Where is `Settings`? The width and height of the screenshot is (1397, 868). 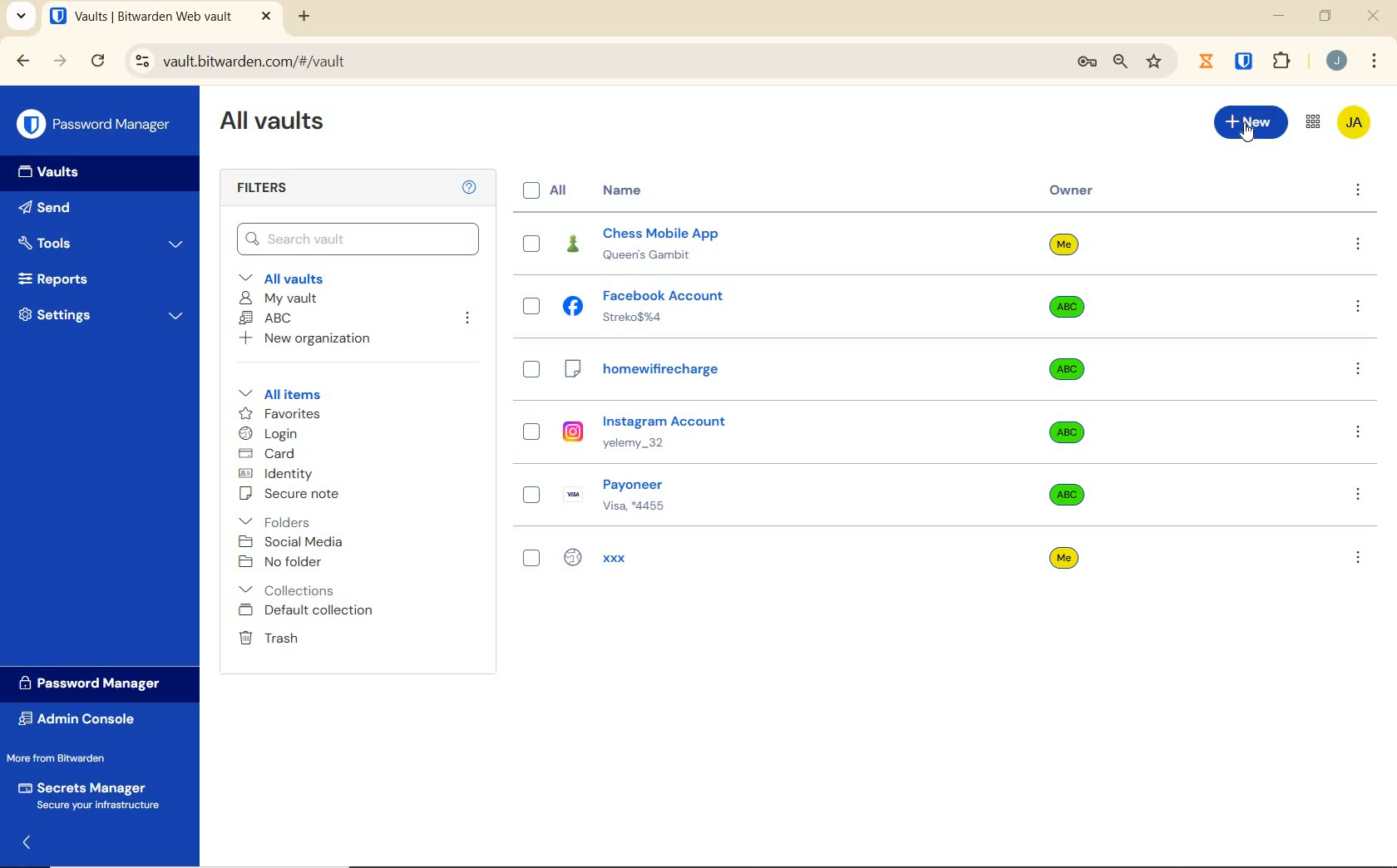 Settings is located at coordinates (104, 318).